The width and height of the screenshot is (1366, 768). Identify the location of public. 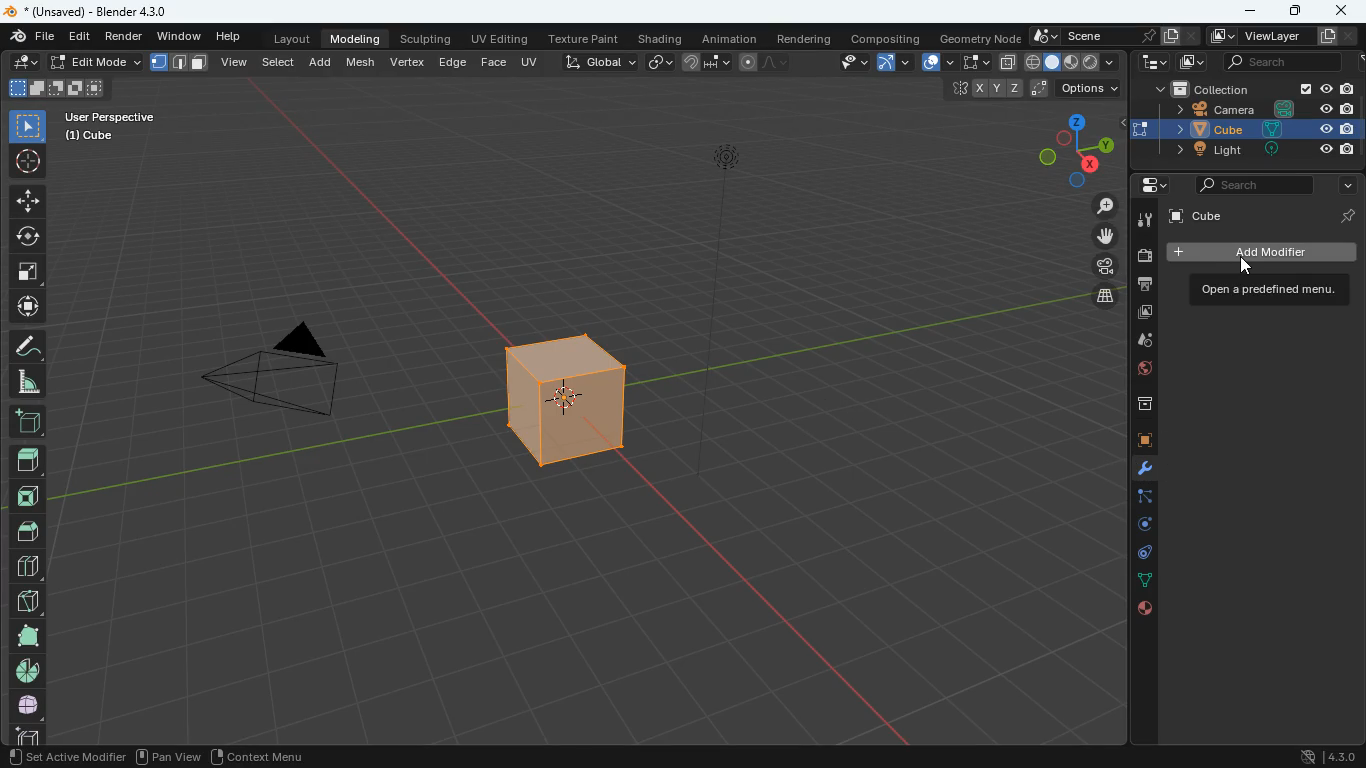
(1145, 609).